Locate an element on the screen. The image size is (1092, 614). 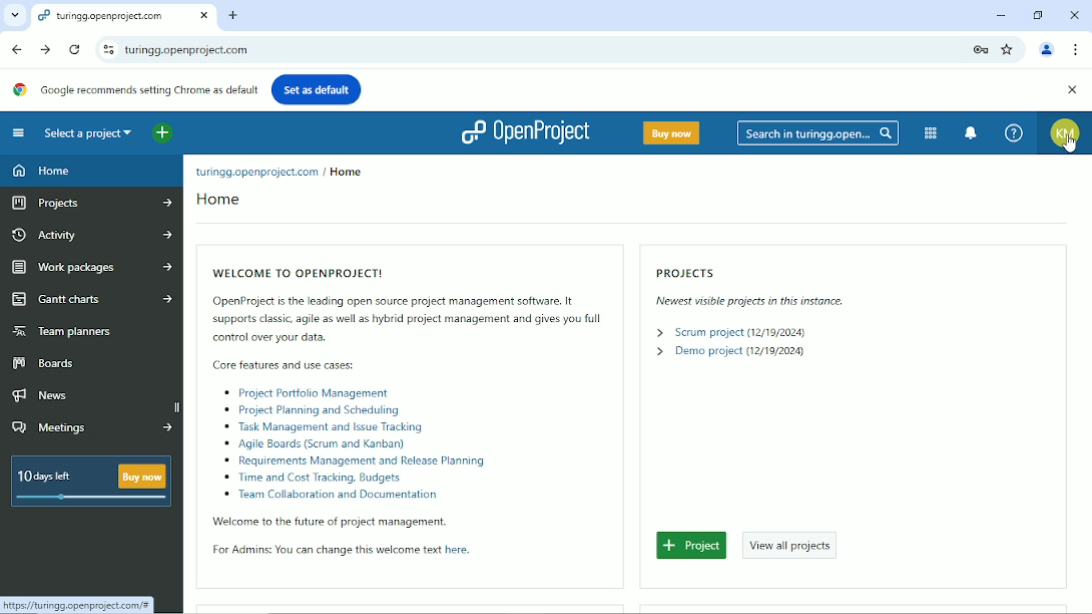
scrollbar is located at coordinates (176, 404).